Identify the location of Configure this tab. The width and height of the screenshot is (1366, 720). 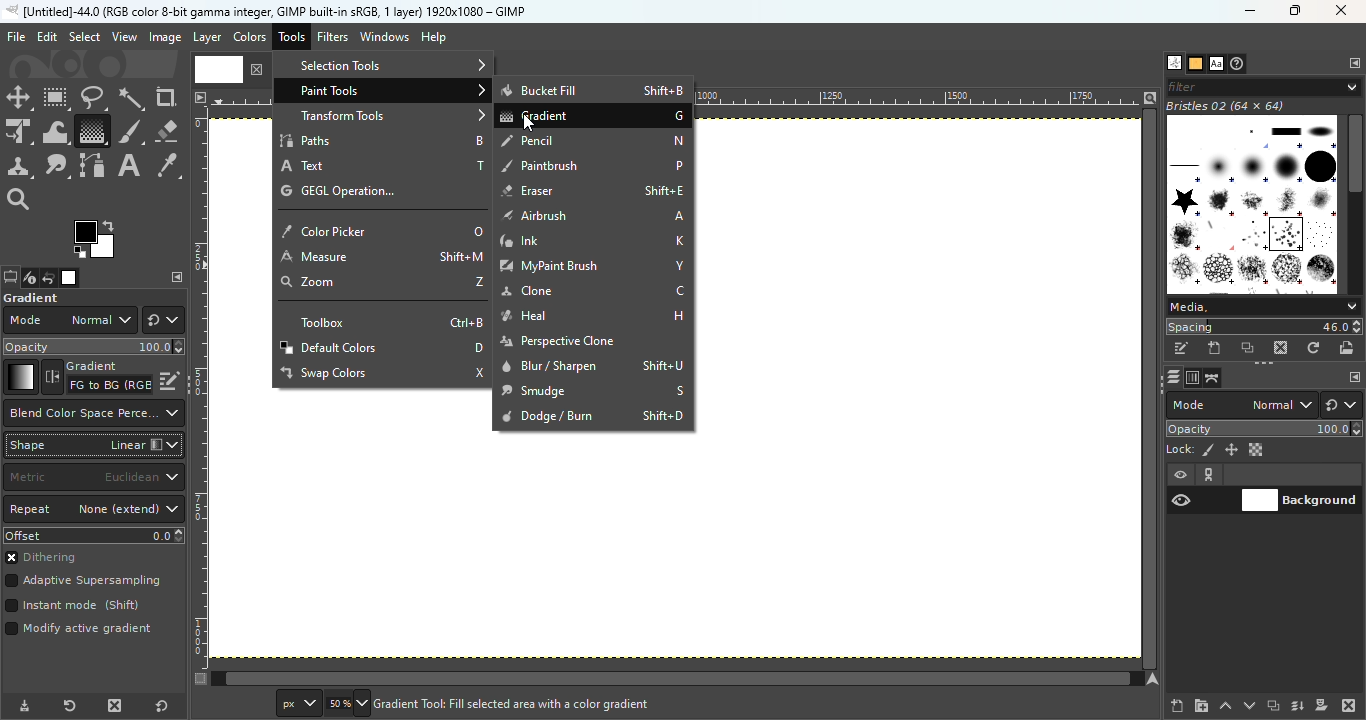
(177, 277).